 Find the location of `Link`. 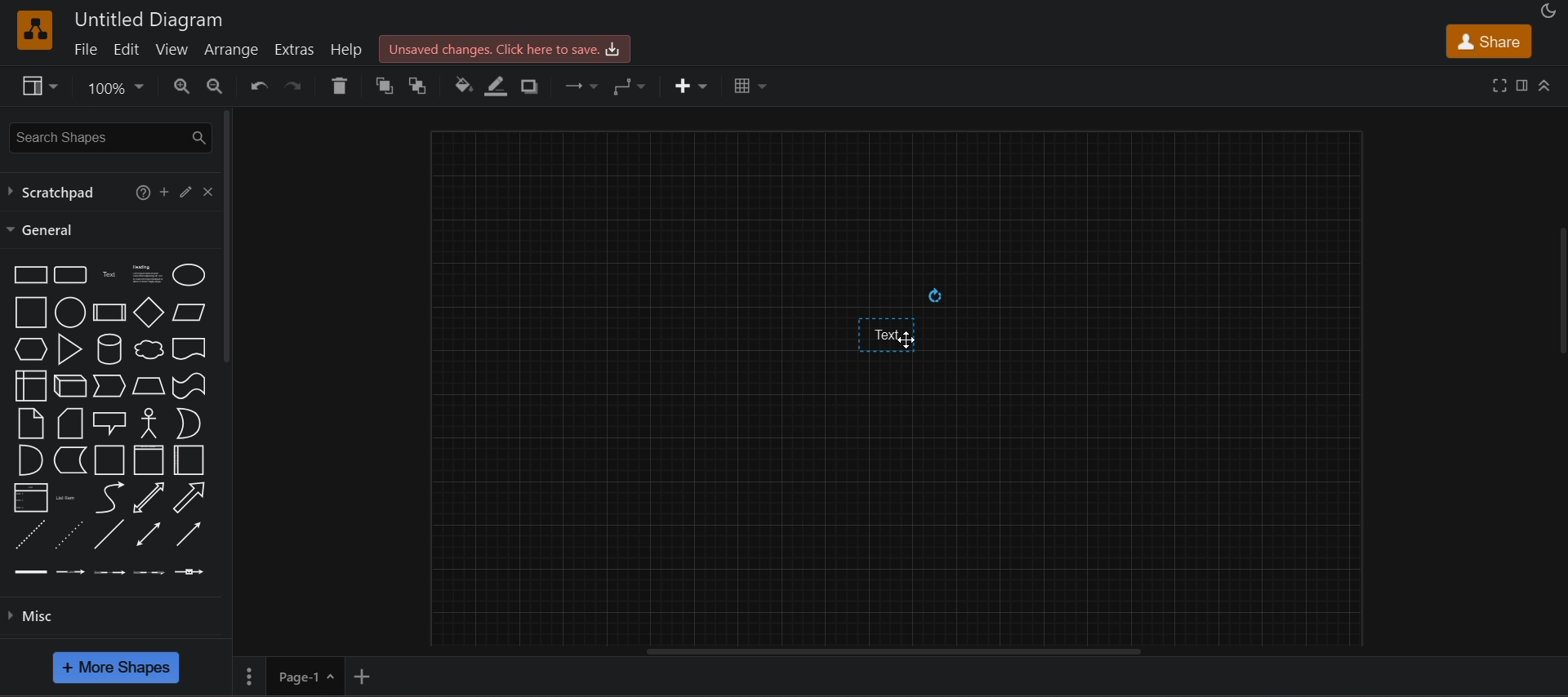

Link is located at coordinates (31, 572).